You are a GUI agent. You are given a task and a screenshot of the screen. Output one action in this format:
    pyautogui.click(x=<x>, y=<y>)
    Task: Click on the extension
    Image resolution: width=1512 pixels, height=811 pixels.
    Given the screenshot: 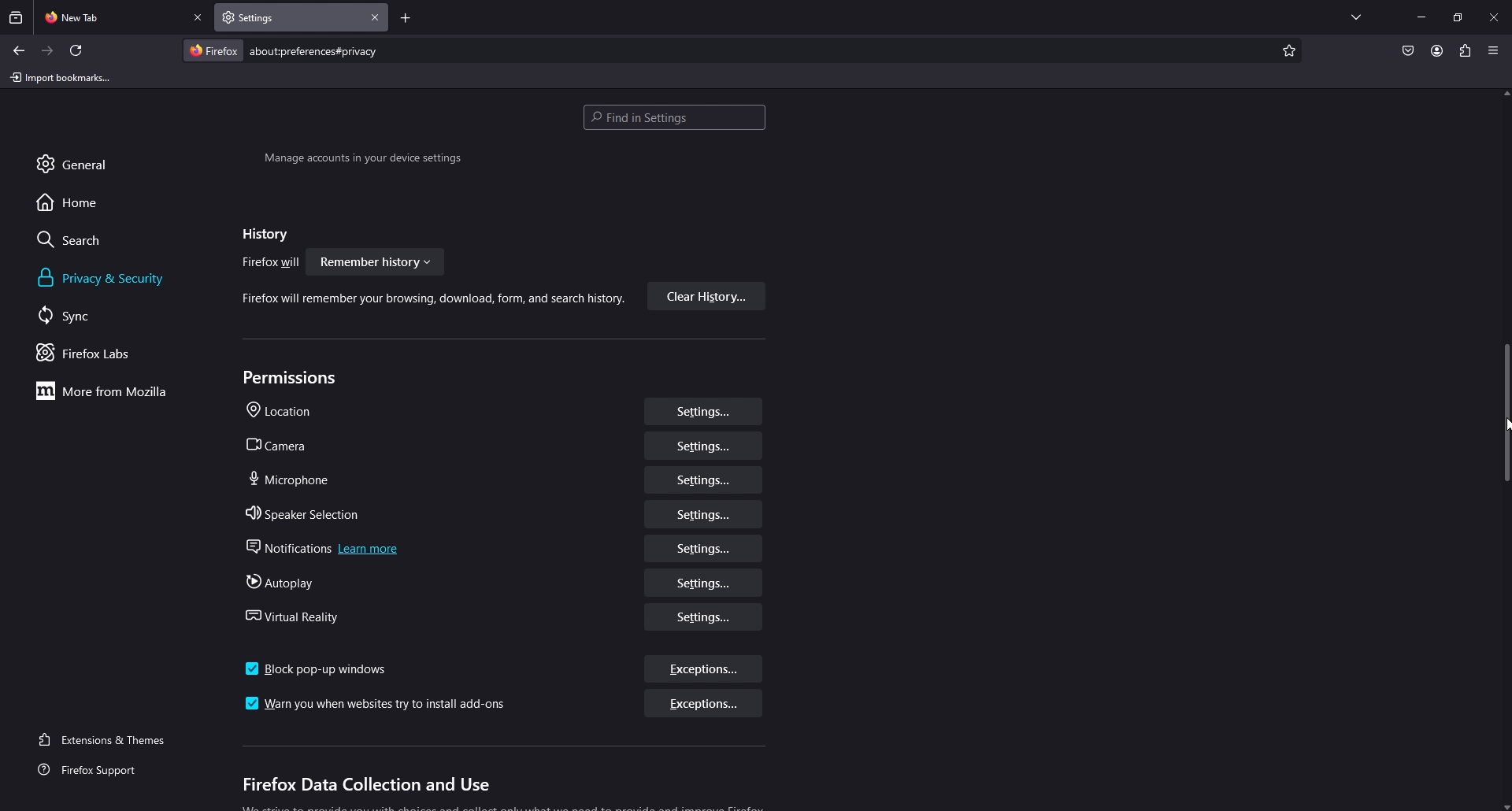 What is the action you would take?
    pyautogui.click(x=1466, y=50)
    